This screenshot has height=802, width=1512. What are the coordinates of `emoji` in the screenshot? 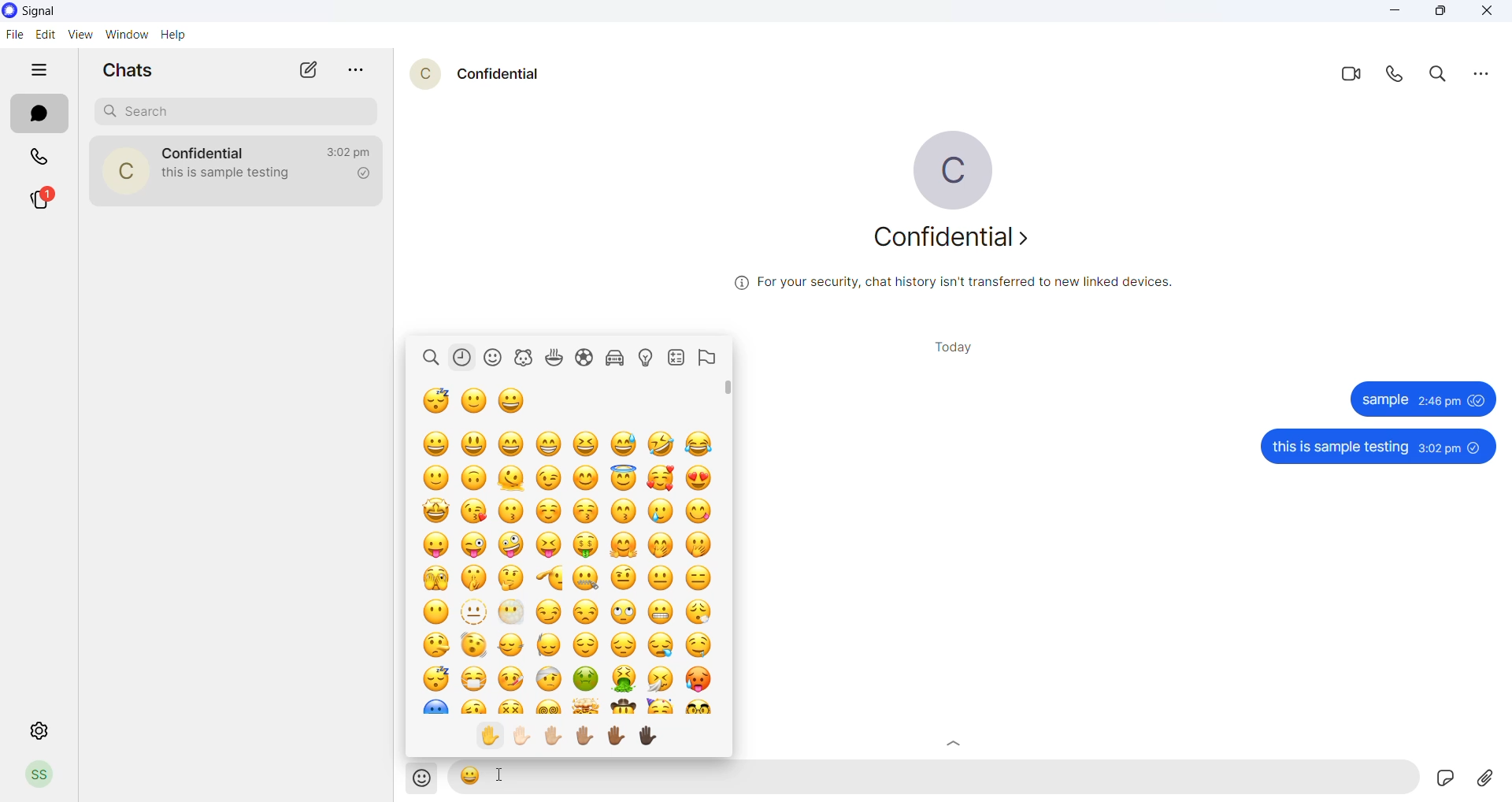 It's located at (471, 776).